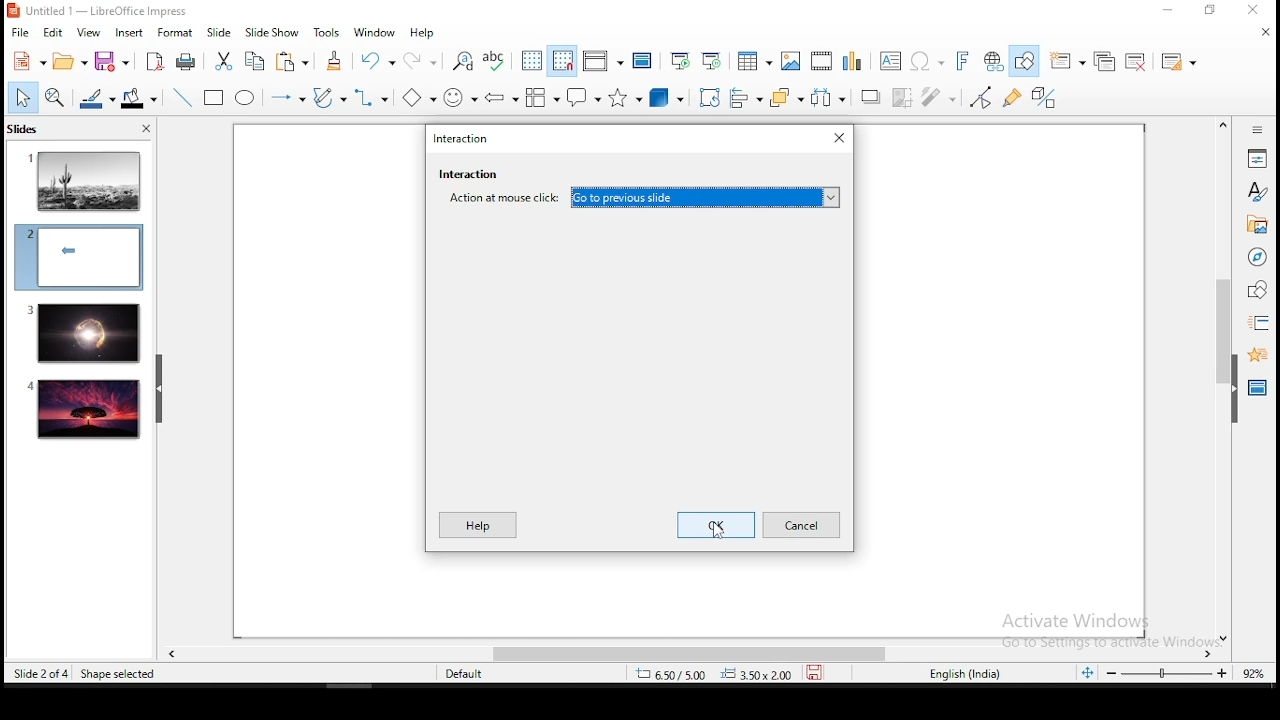  What do you see at coordinates (1046, 97) in the screenshot?
I see `toggle extrusiuon` at bounding box center [1046, 97].